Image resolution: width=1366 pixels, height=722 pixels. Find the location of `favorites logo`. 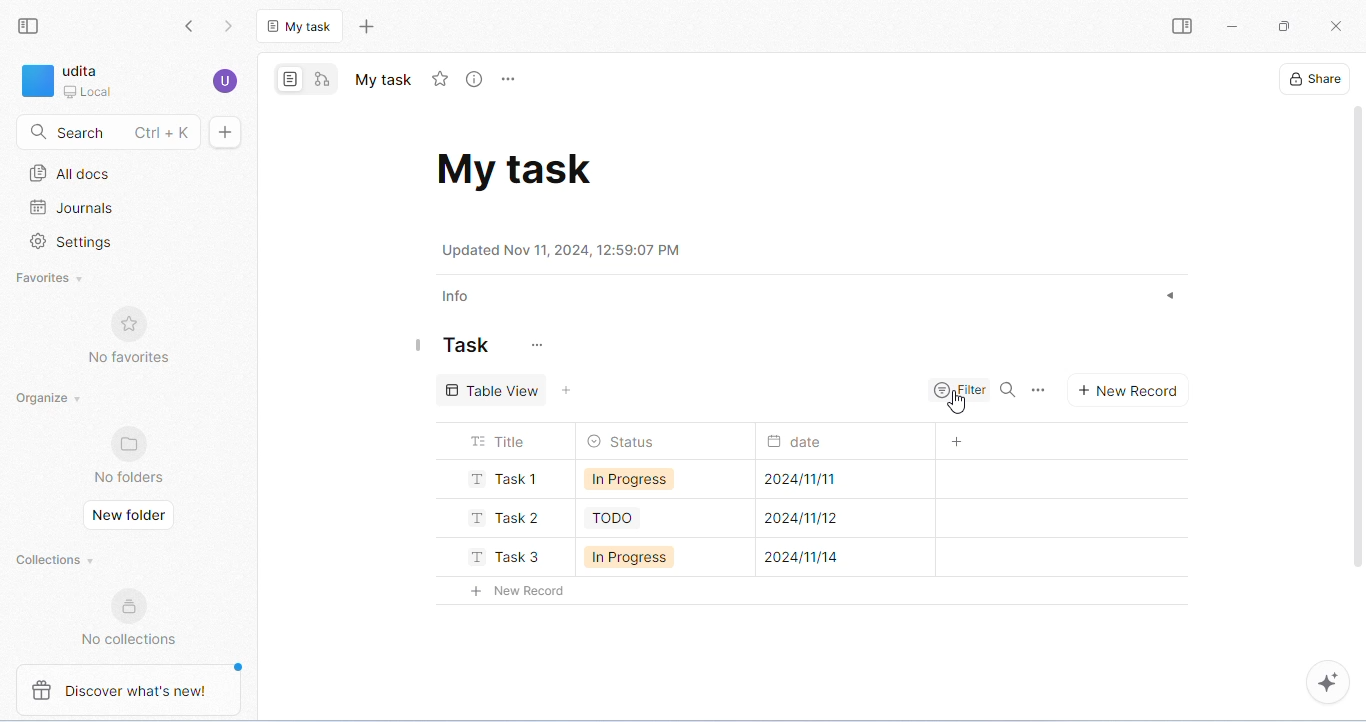

favorites logo is located at coordinates (133, 322).